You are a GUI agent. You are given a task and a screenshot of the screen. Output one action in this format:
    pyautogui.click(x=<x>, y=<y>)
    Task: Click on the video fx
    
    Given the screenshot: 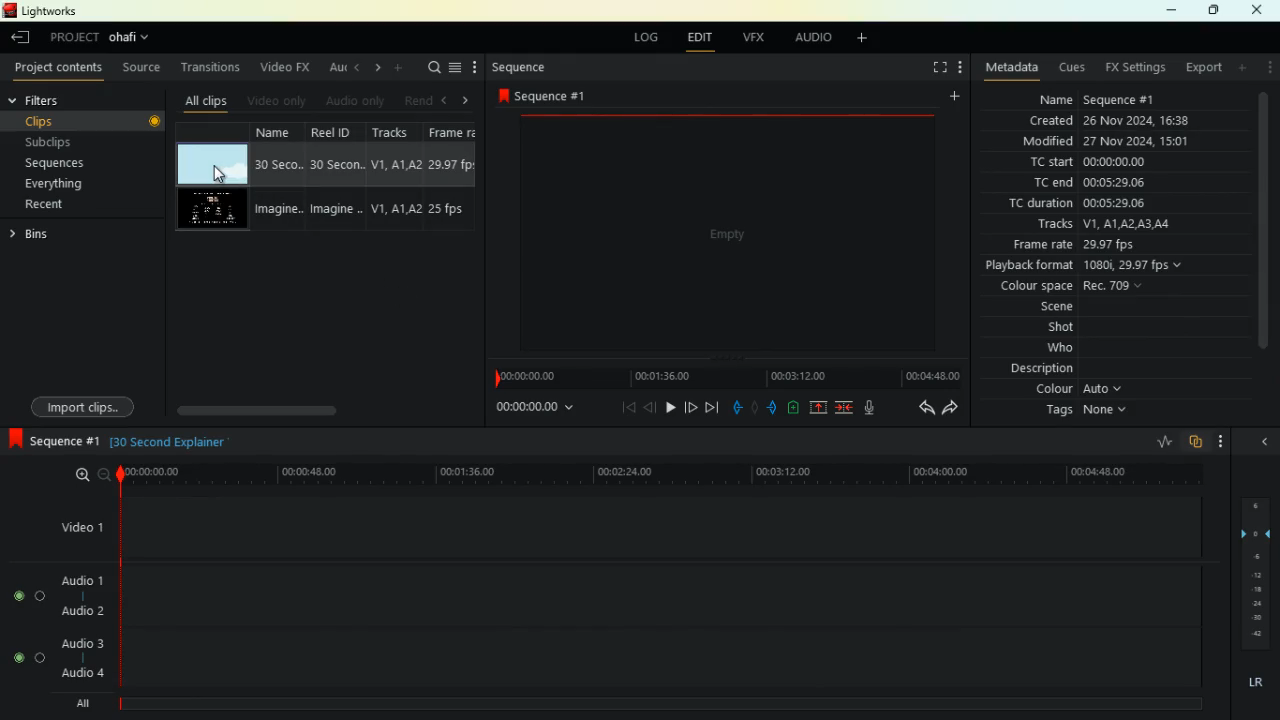 What is the action you would take?
    pyautogui.click(x=282, y=66)
    